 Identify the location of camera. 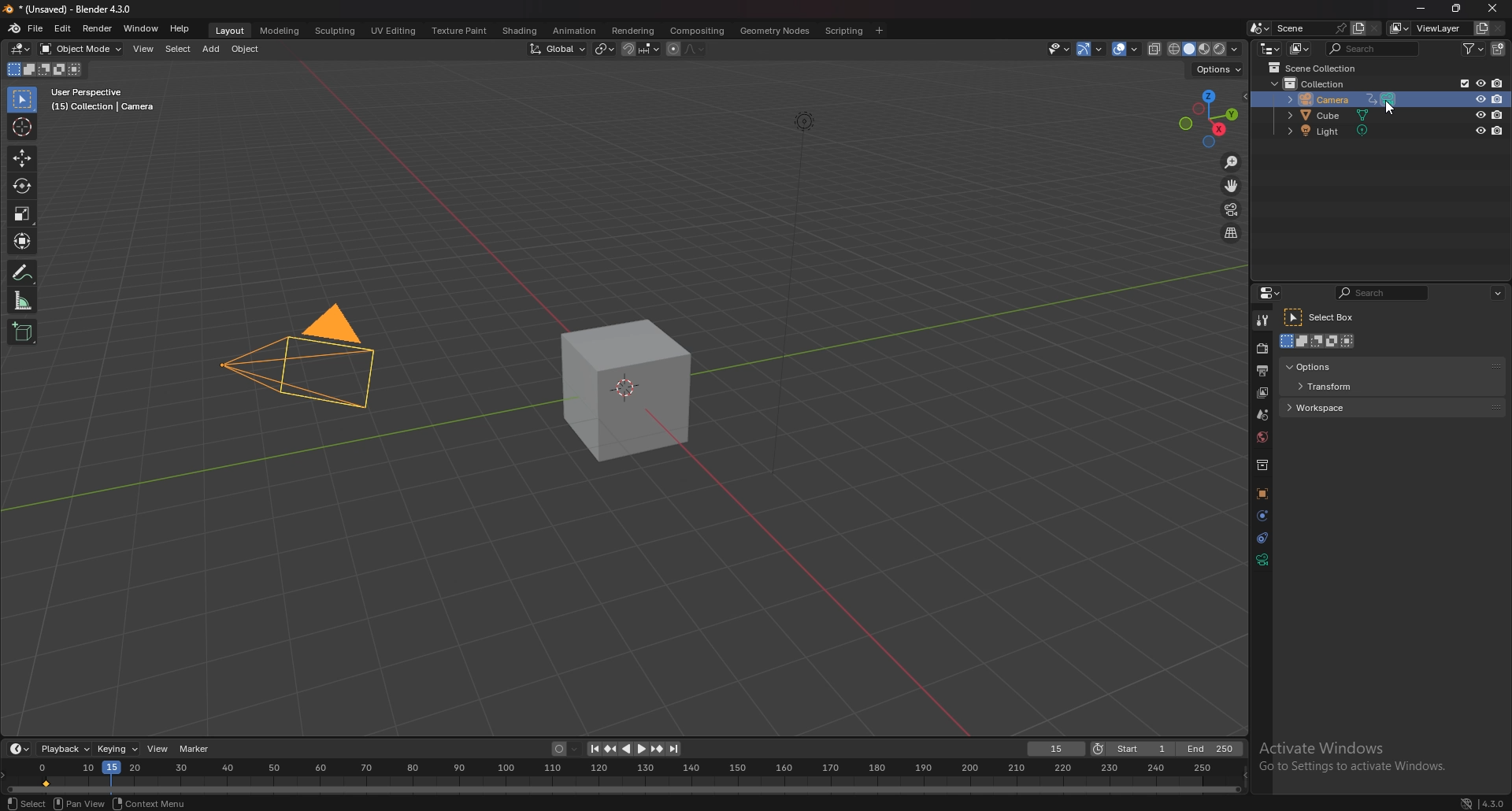
(298, 365).